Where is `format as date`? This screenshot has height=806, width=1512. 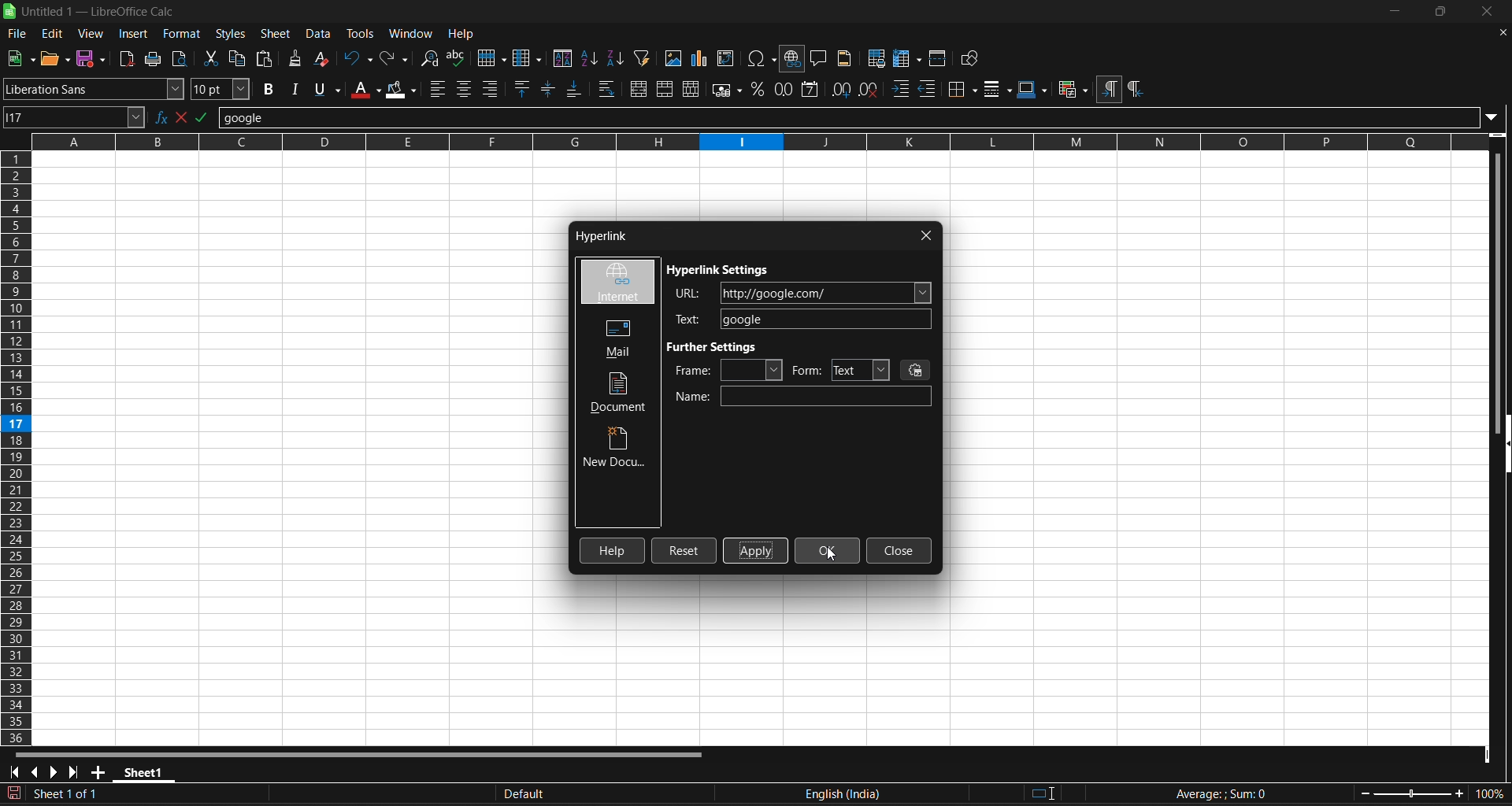 format as date is located at coordinates (812, 90).